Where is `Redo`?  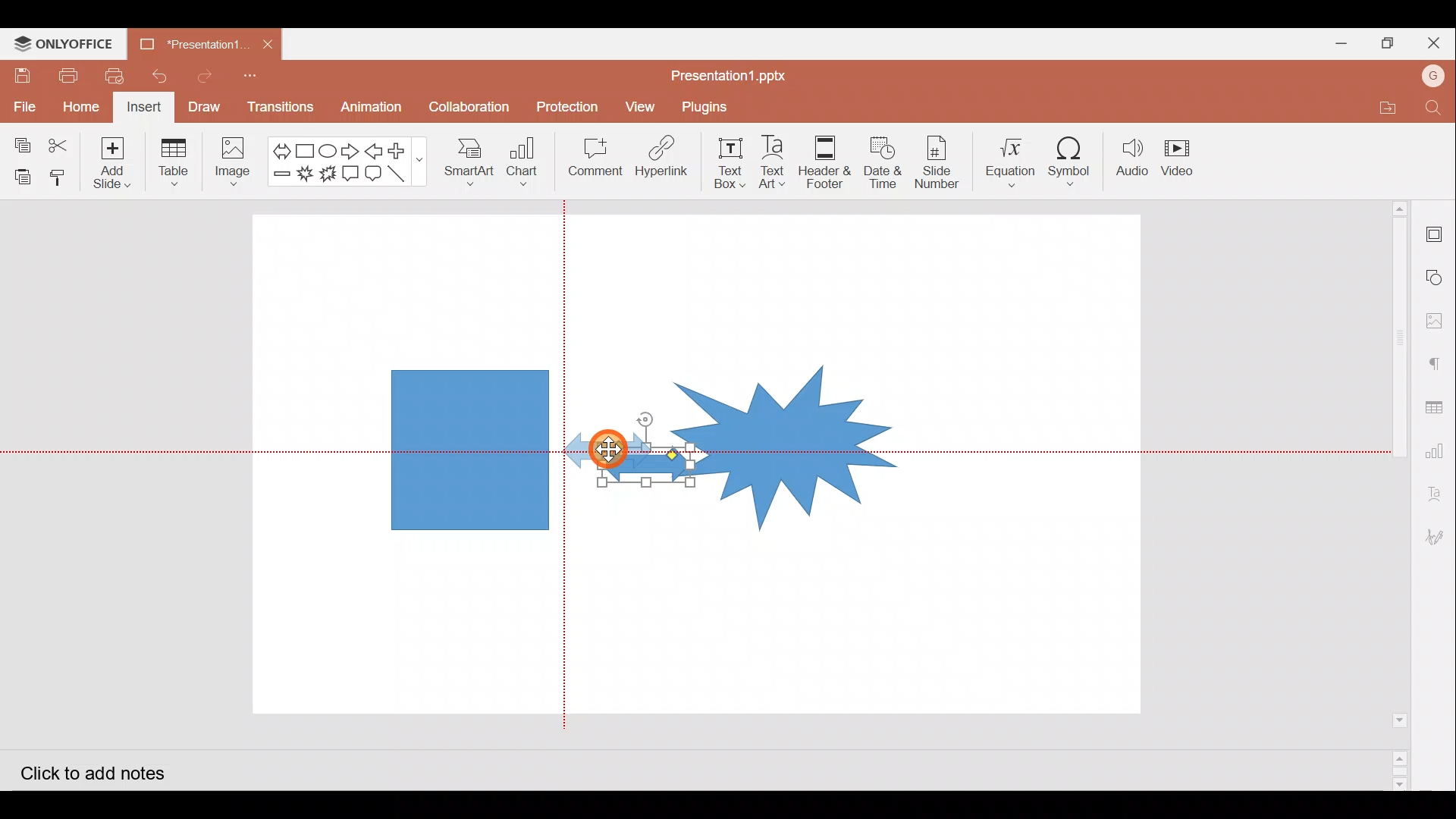 Redo is located at coordinates (210, 78).